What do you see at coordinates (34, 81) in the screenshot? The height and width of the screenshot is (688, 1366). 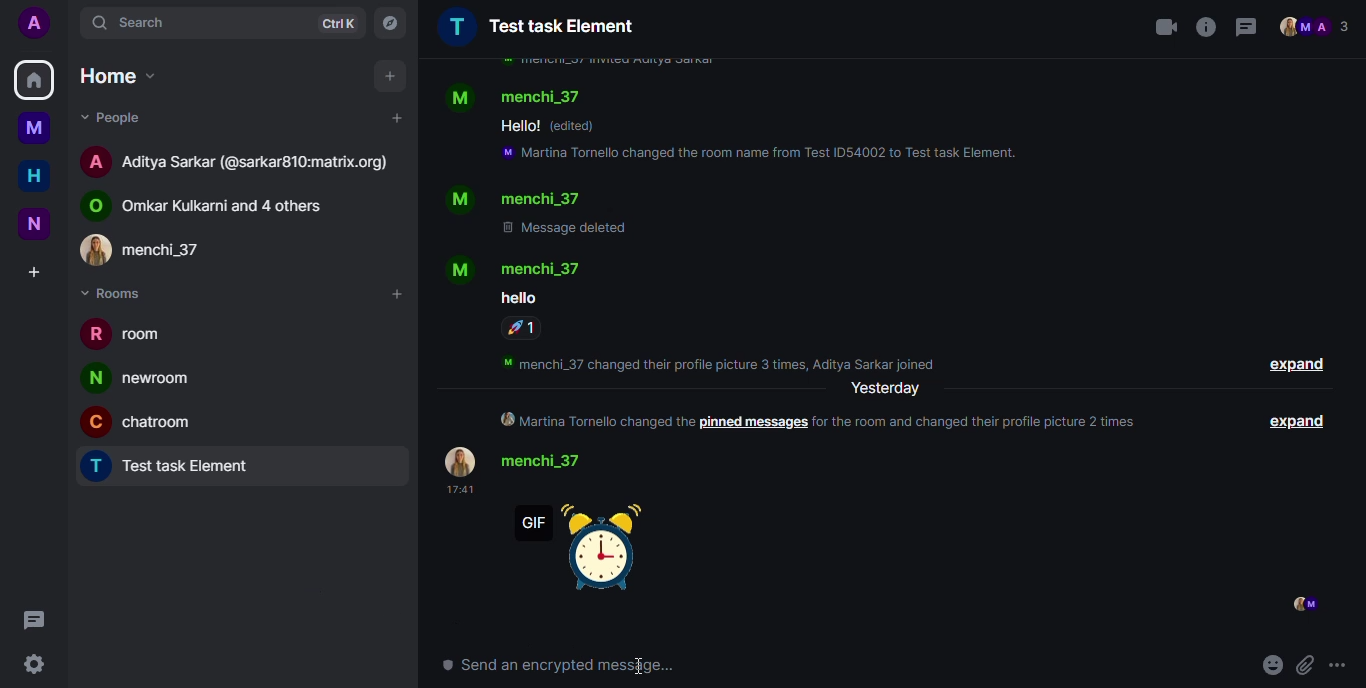 I see `home` at bounding box center [34, 81].